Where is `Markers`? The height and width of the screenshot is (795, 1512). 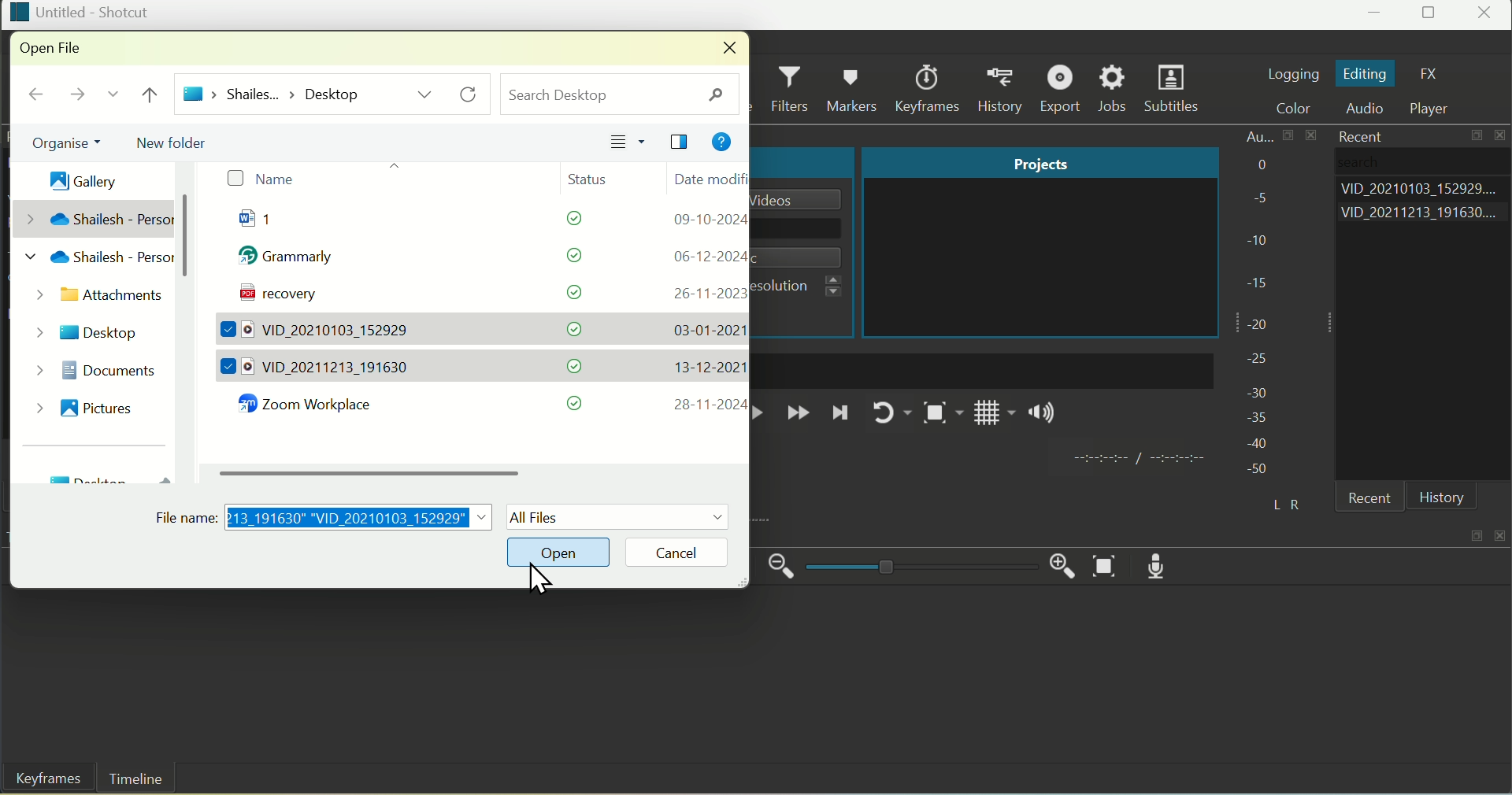
Markers is located at coordinates (855, 87).